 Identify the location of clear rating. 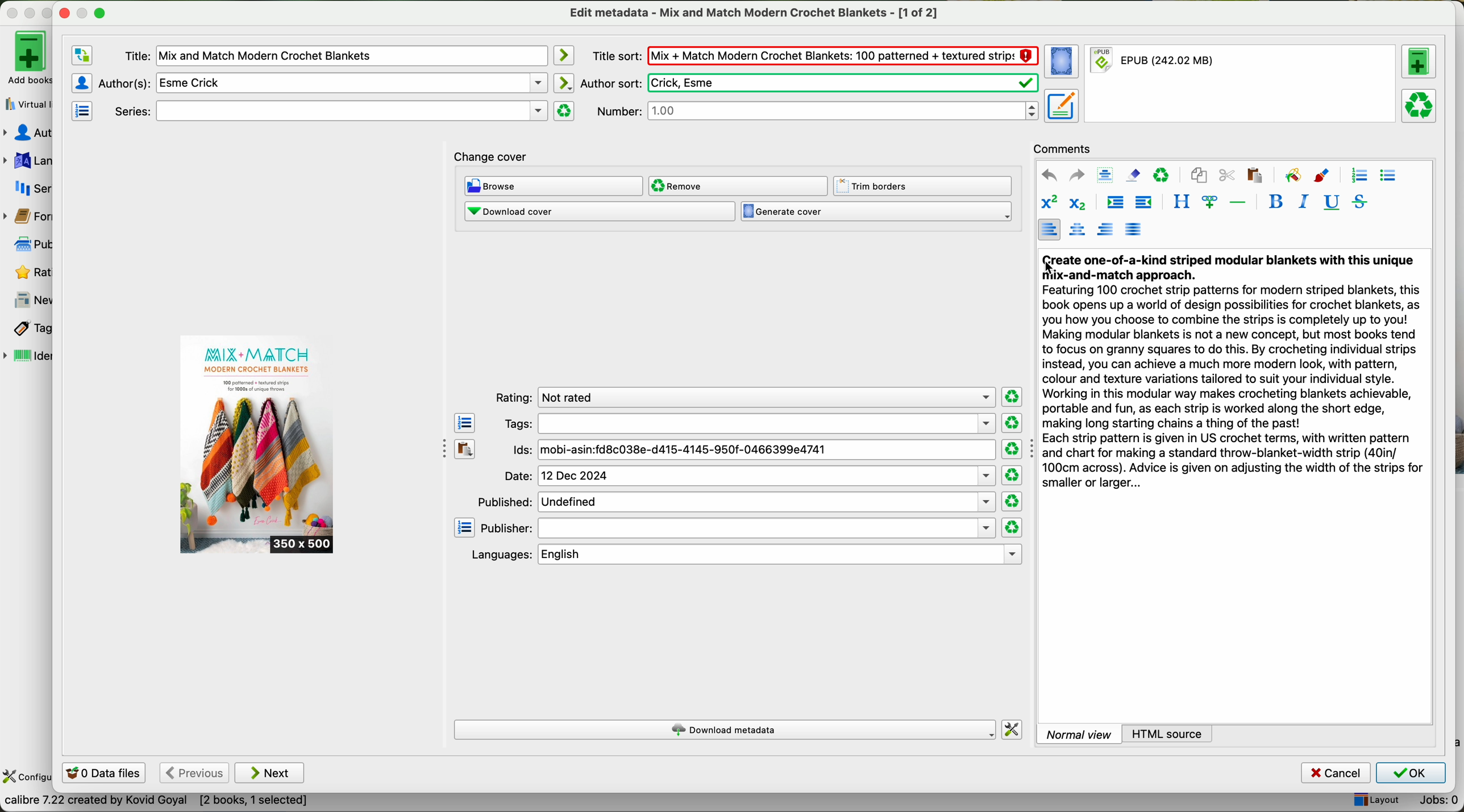
(1011, 423).